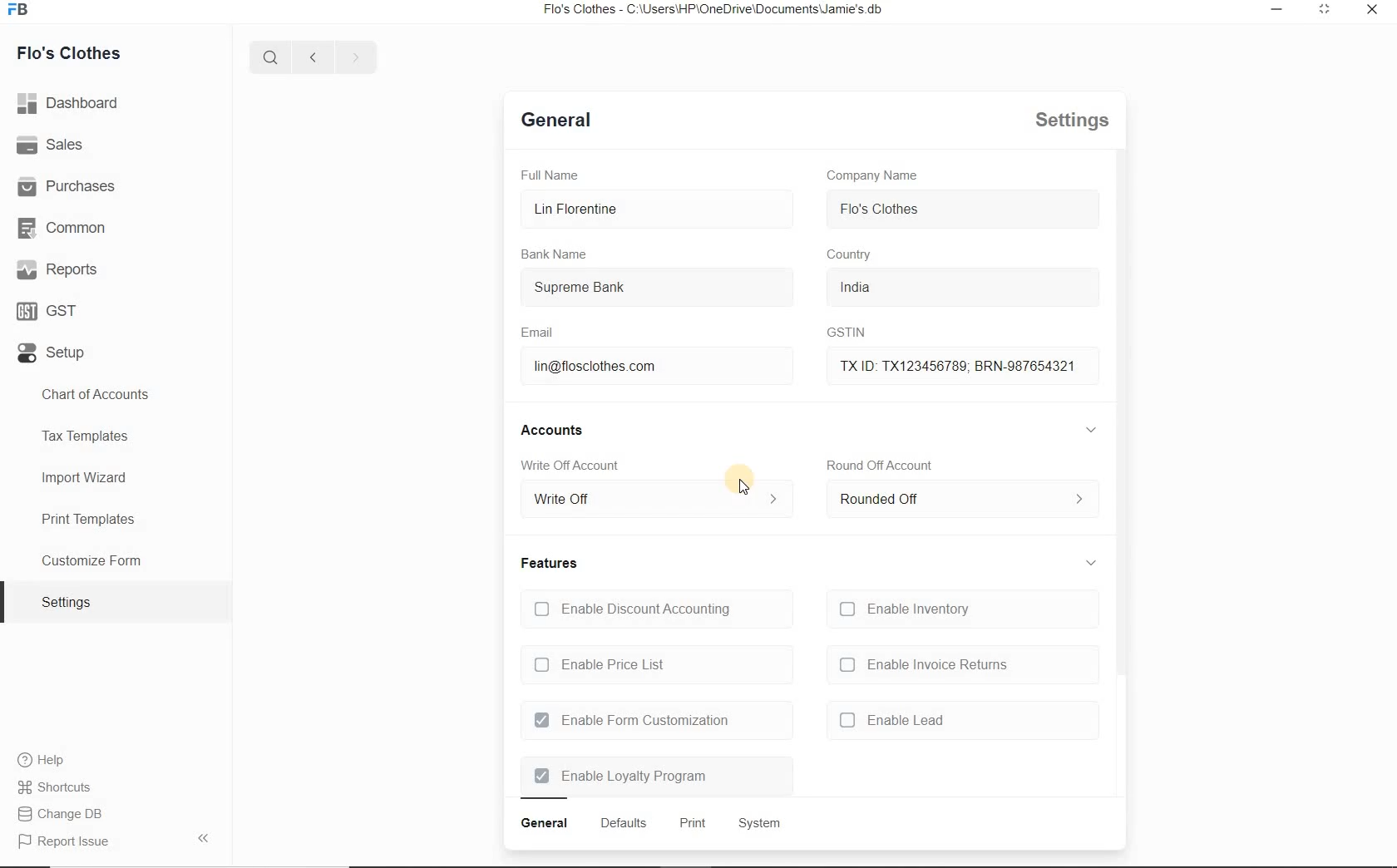  What do you see at coordinates (541, 333) in the screenshot?
I see `Email` at bounding box center [541, 333].